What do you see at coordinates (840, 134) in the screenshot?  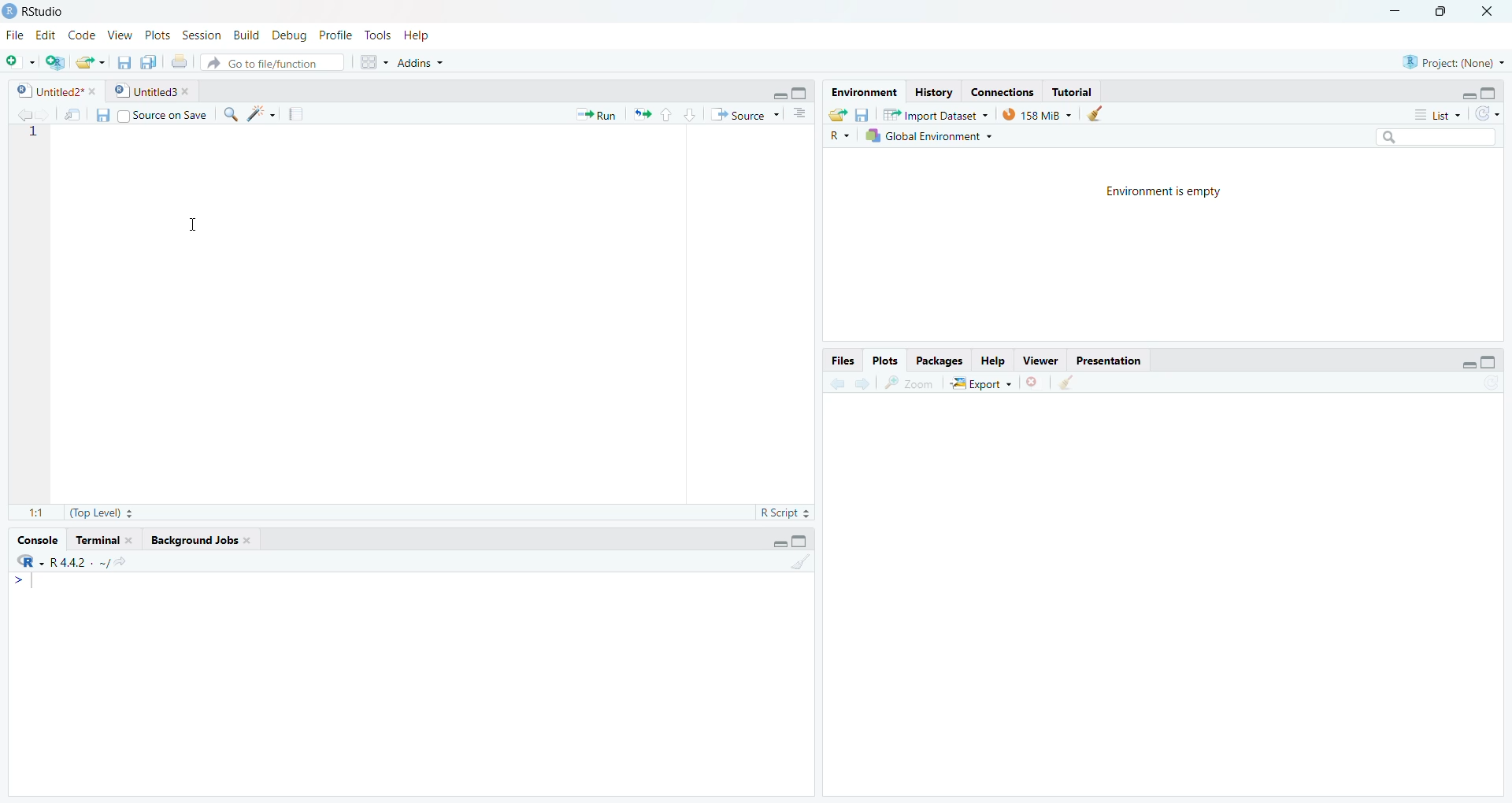 I see `R~` at bounding box center [840, 134].